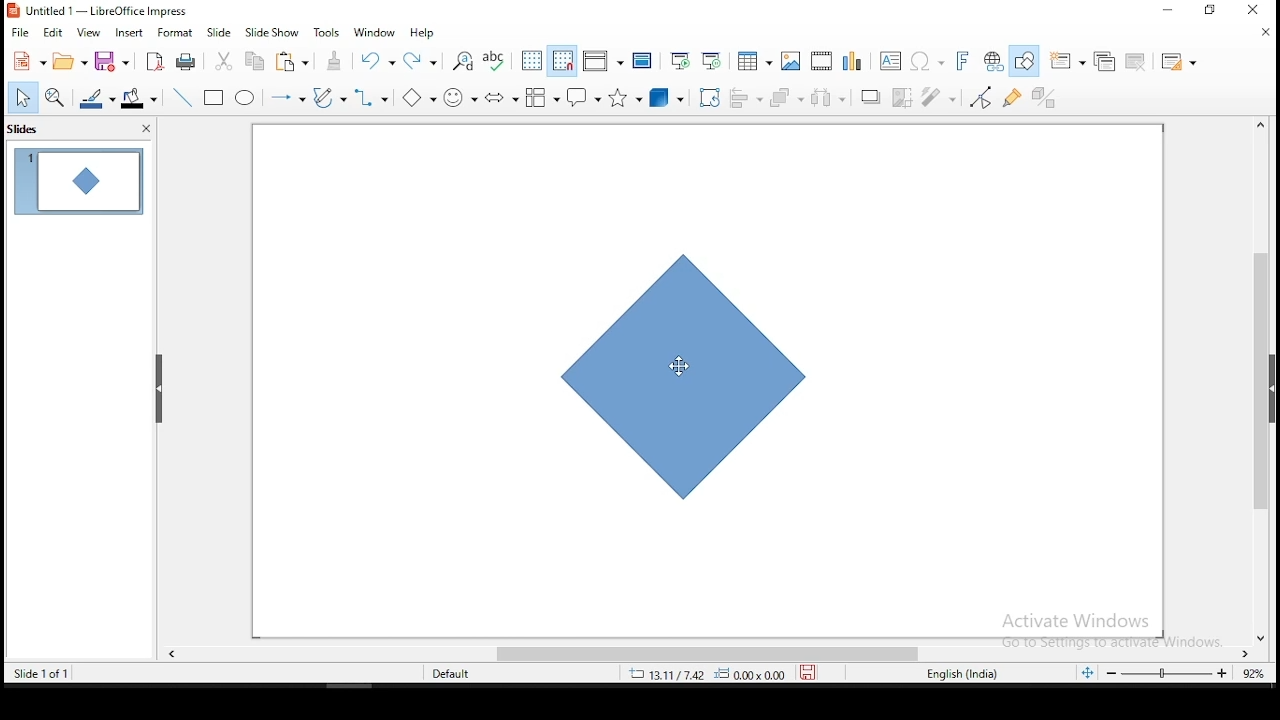 The height and width of the screenshot is (720, 1280). What do you see at coordinates (95, 99) in the screenshot?
I see `line color` at bounding box center [95, 99].